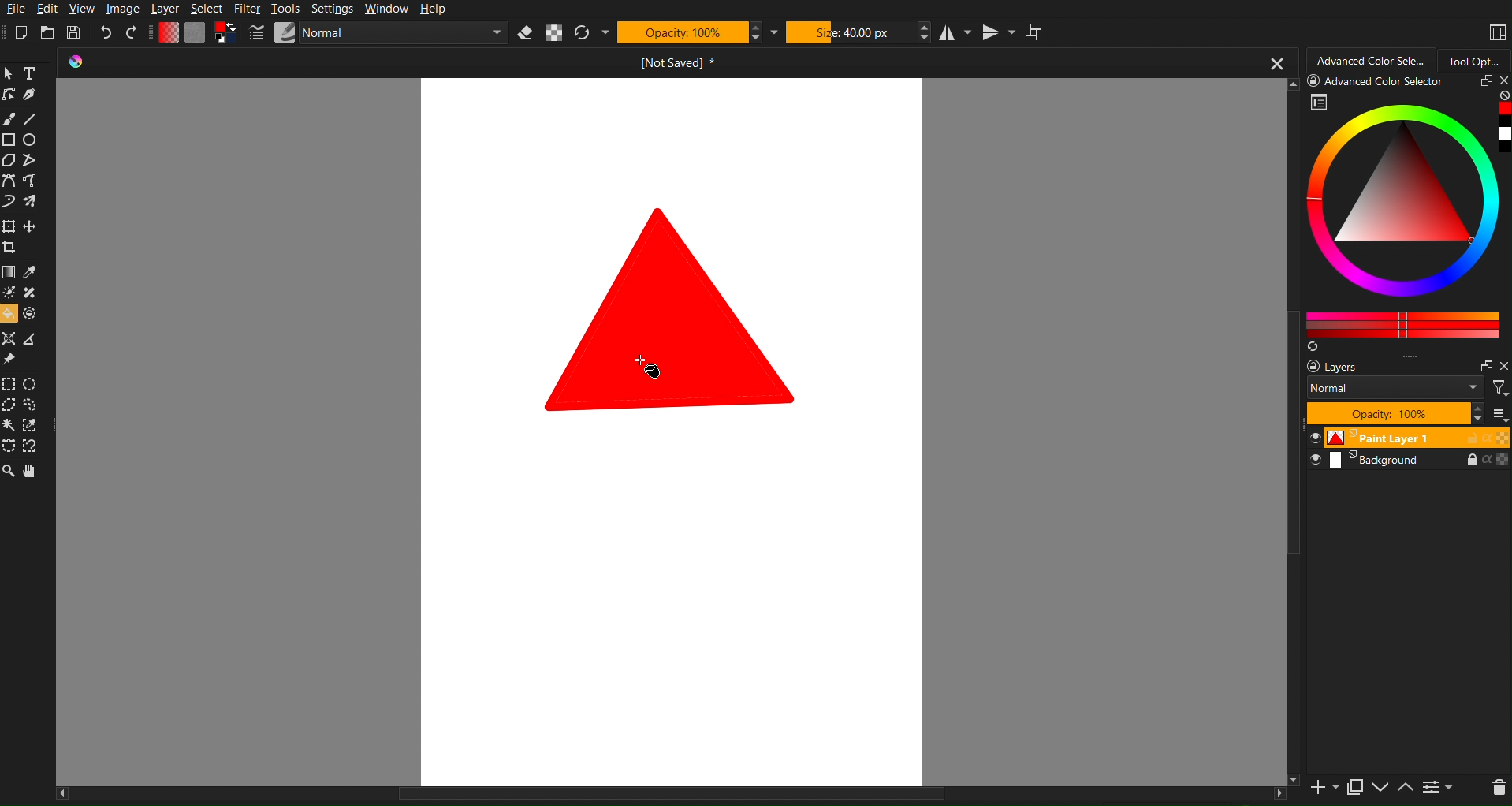 The width and height of the screenshot is (1512, 806). I want to click on magnetic curve Selection Tools, so click(35, 447).